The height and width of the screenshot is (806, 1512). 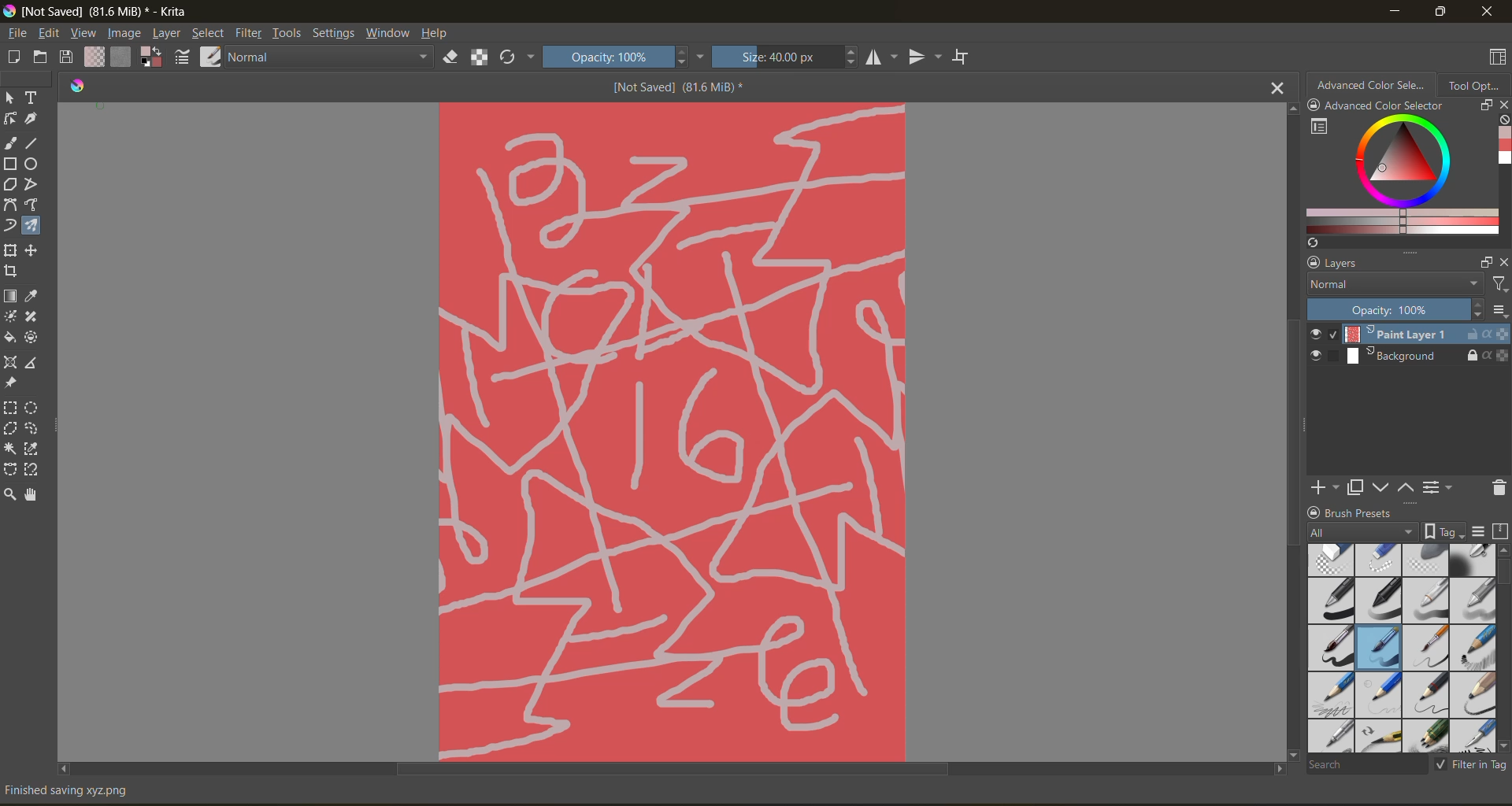 I want to click on view/change layer, so click(x=1442, y=486).